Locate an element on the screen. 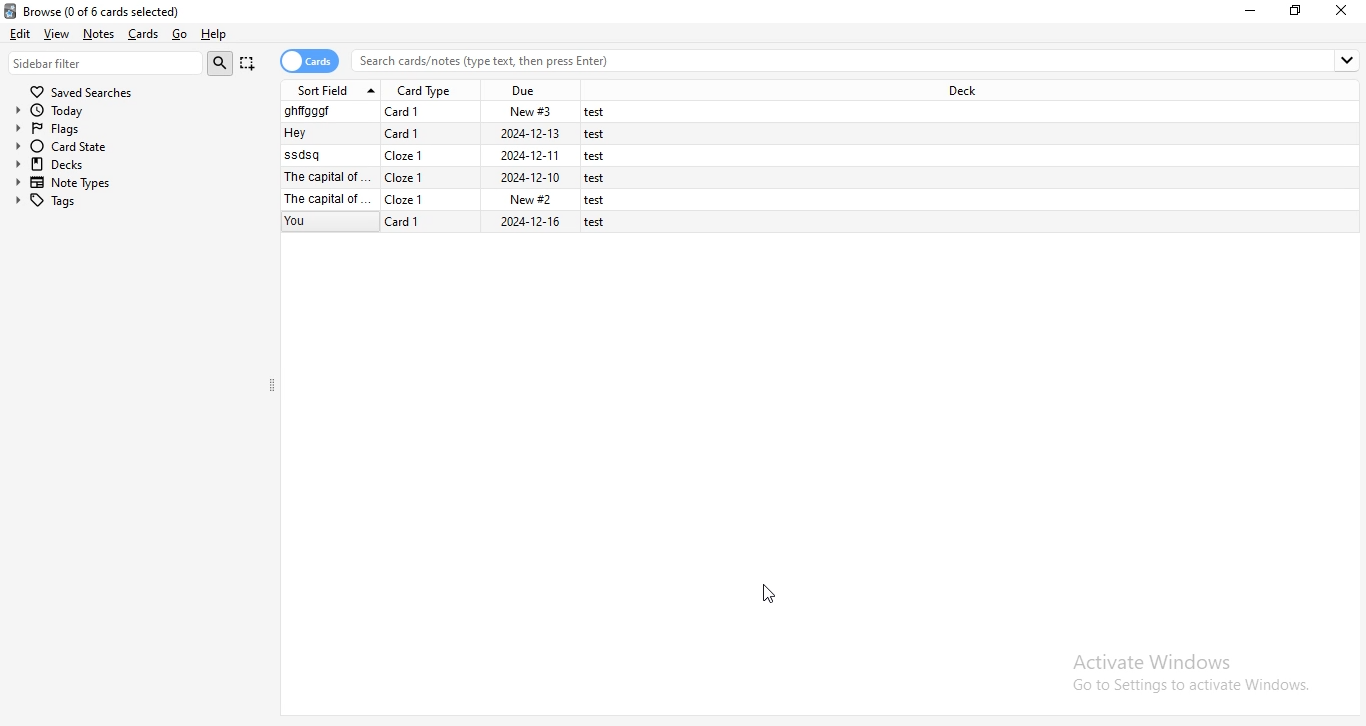 This screenshot has width=1366, height=726. note types is located at coordinates (136, 183).